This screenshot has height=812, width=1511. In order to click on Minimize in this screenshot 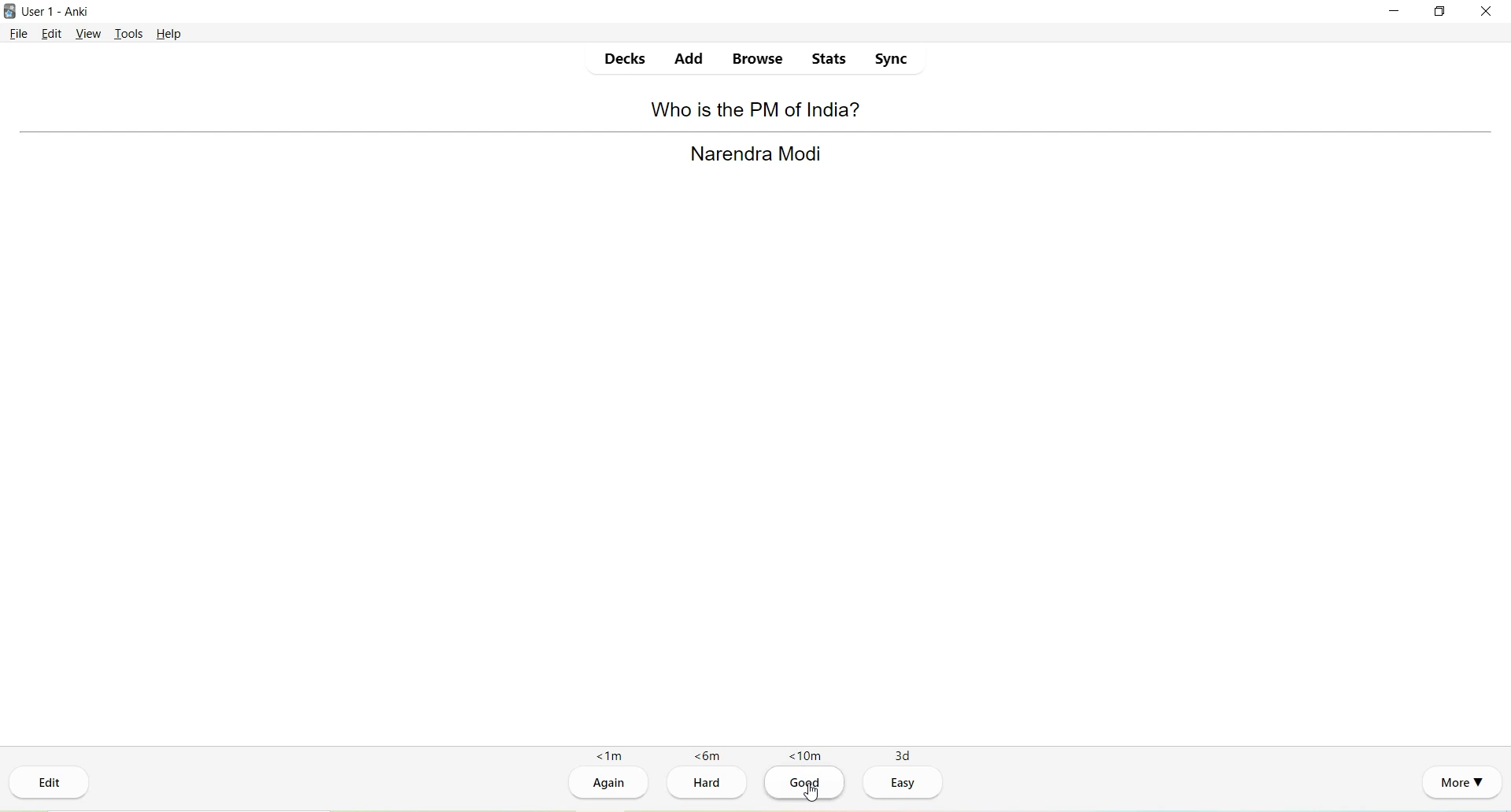, I will do `click(1395, 11)`.